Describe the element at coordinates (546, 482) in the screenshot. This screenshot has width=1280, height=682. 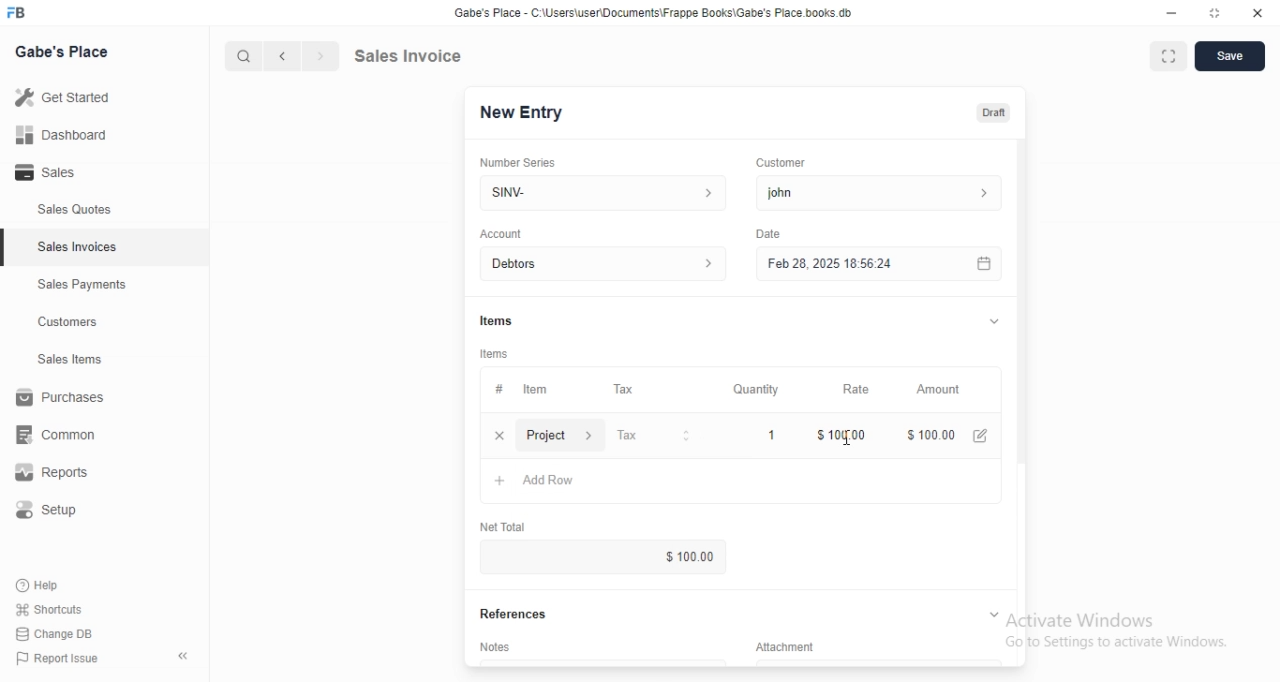
I see `+ Add Row` at that location.